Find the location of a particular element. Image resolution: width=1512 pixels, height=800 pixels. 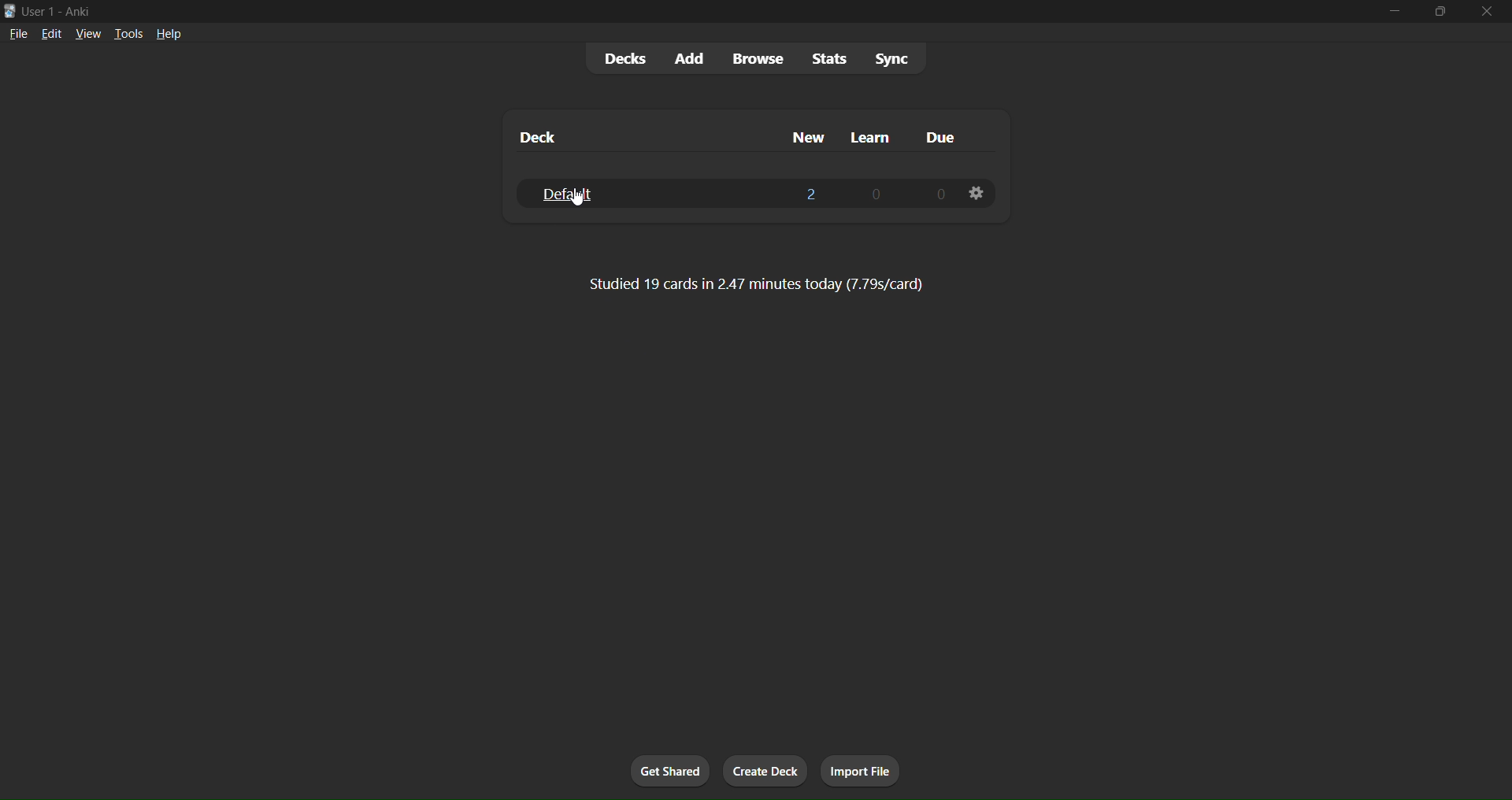

get started is located at coordinates (665, 769).